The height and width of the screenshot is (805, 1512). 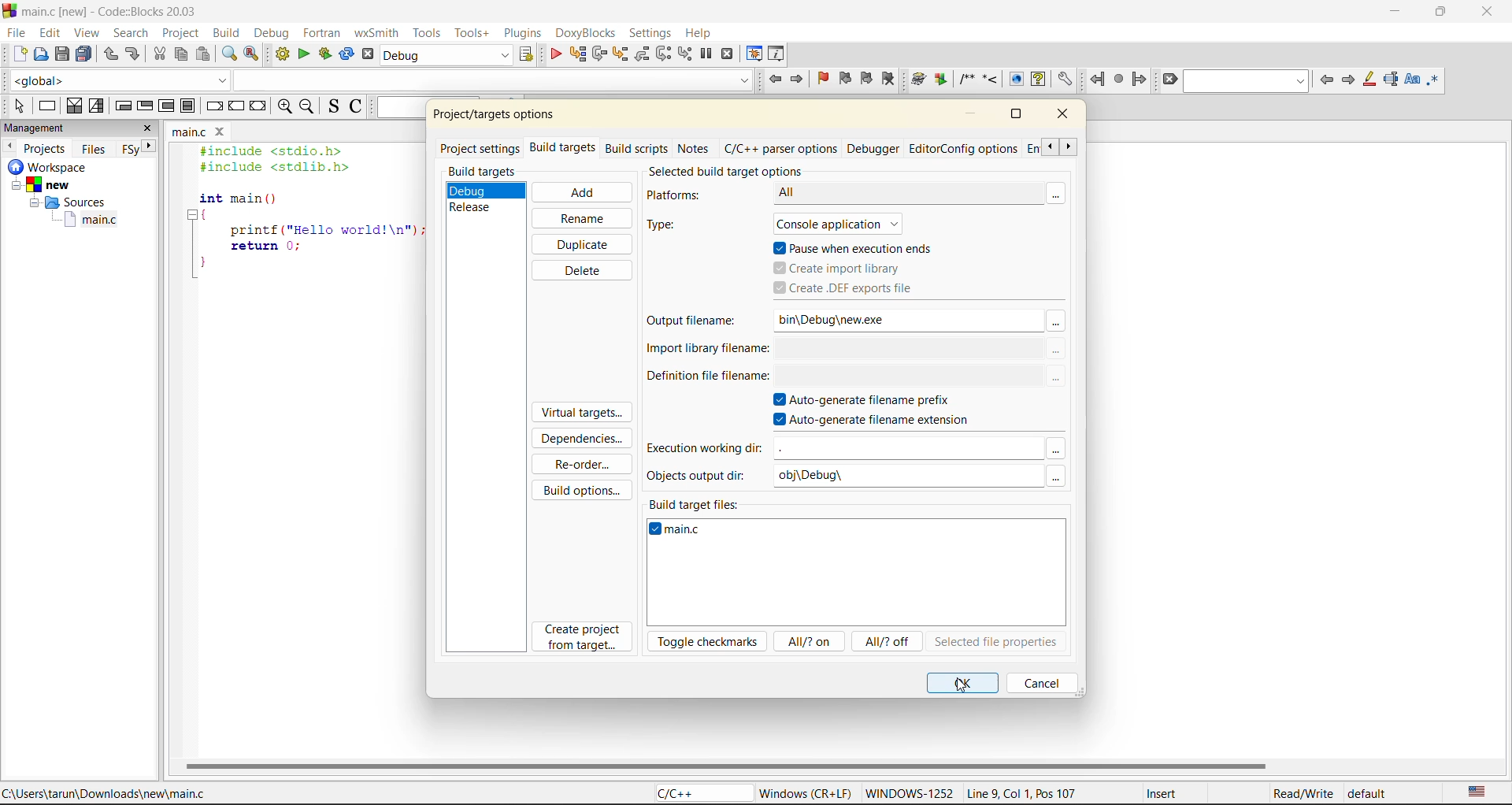 I want to click on various info, so click(x=778, y=52).